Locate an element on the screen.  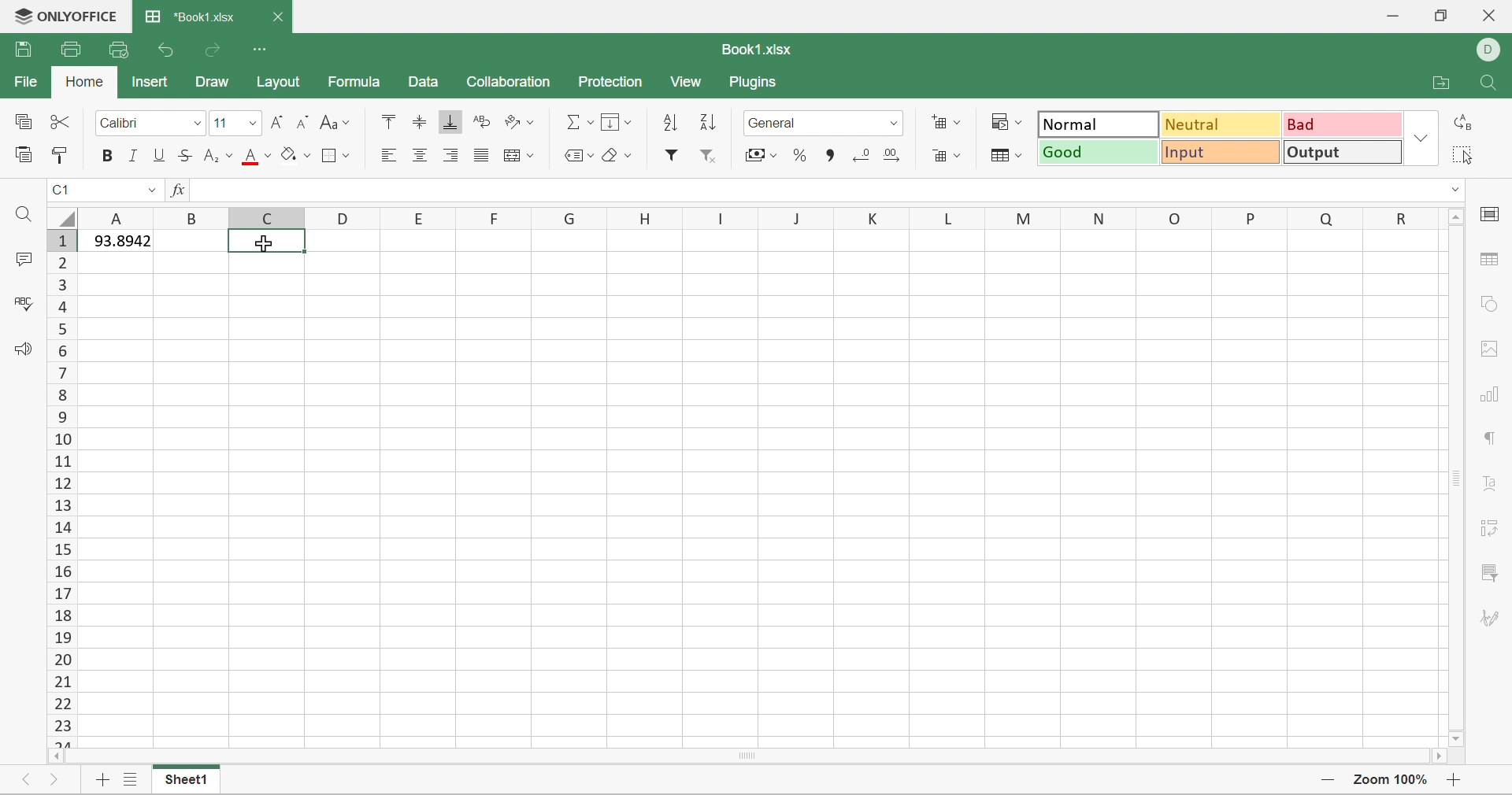
Plugins is located at coordinates (757, 83).